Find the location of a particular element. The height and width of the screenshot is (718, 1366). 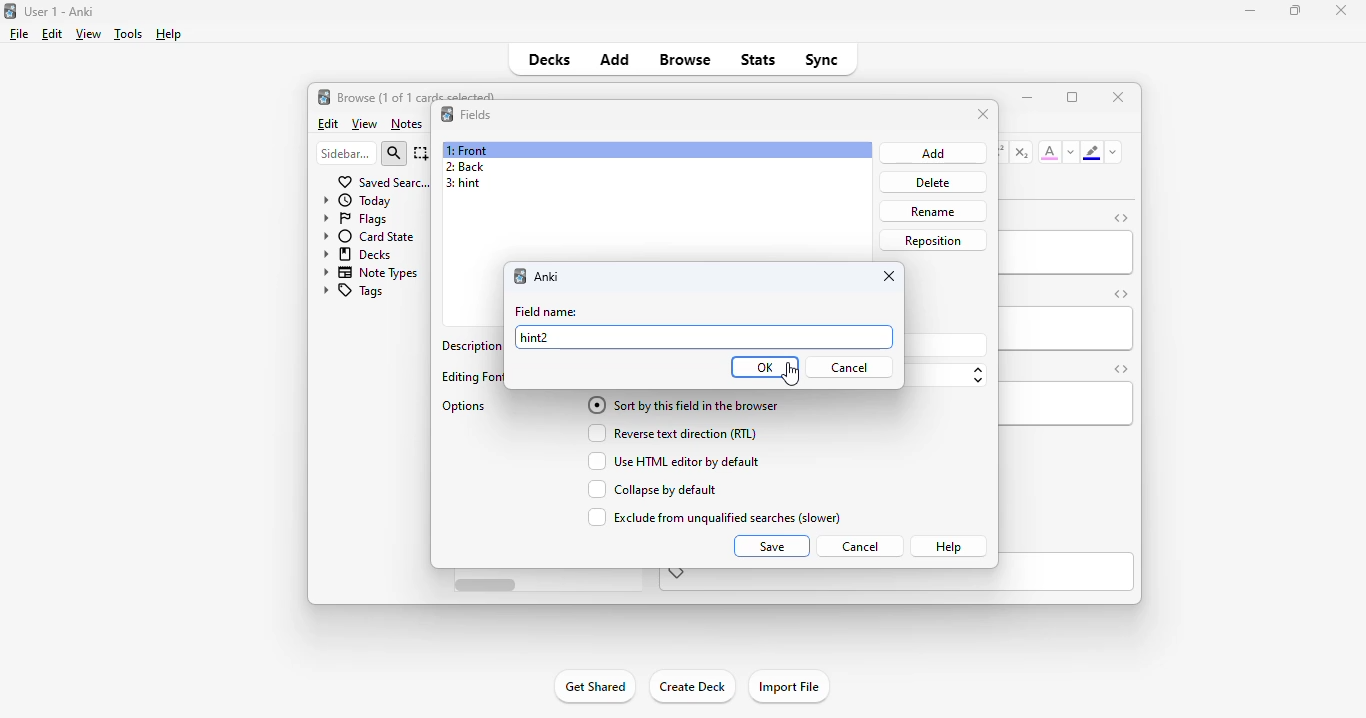

3: hint is located at coordinates (462, 184).